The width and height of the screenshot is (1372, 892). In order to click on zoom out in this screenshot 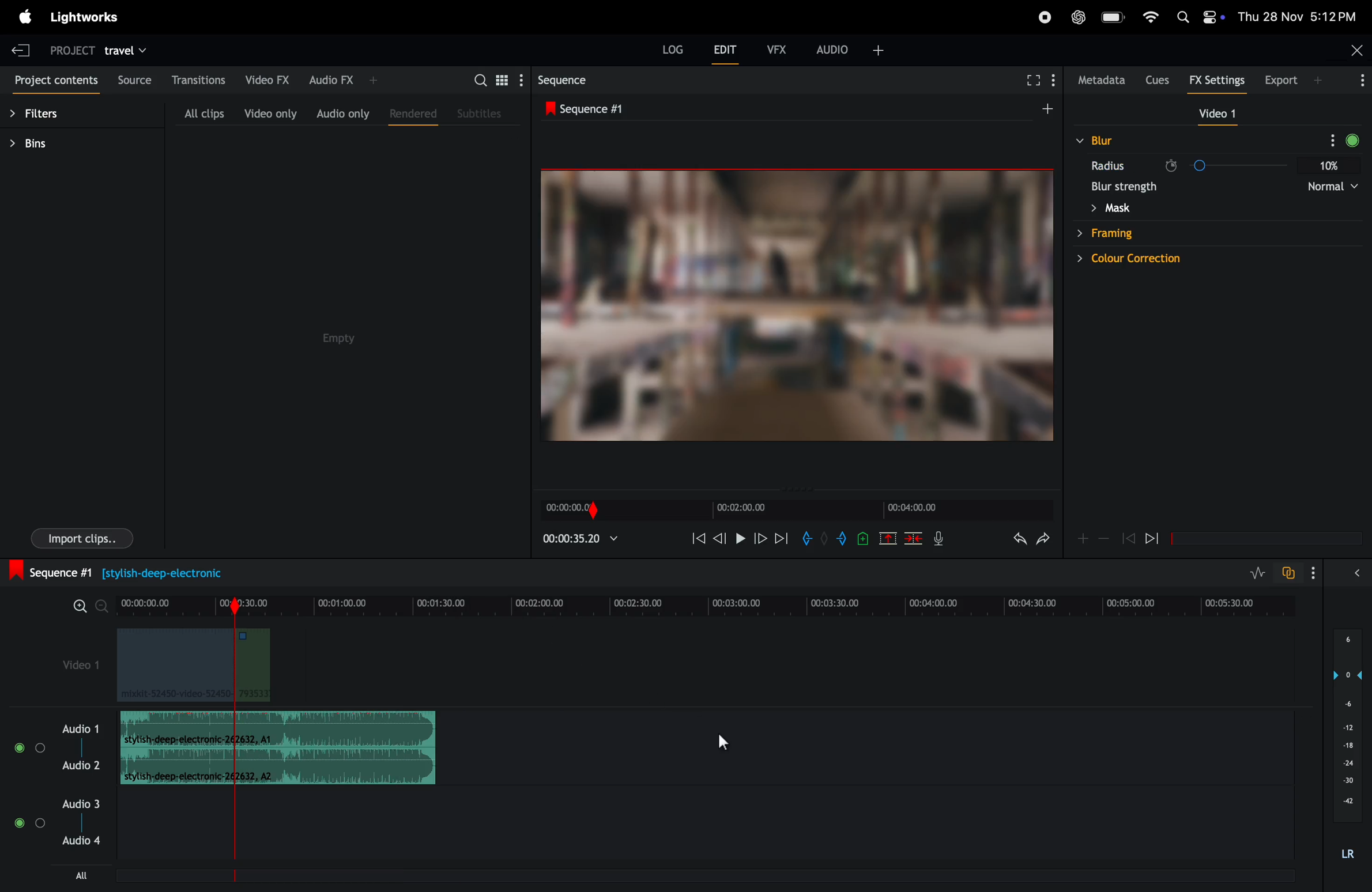, I will do `click(1104, 541)`.